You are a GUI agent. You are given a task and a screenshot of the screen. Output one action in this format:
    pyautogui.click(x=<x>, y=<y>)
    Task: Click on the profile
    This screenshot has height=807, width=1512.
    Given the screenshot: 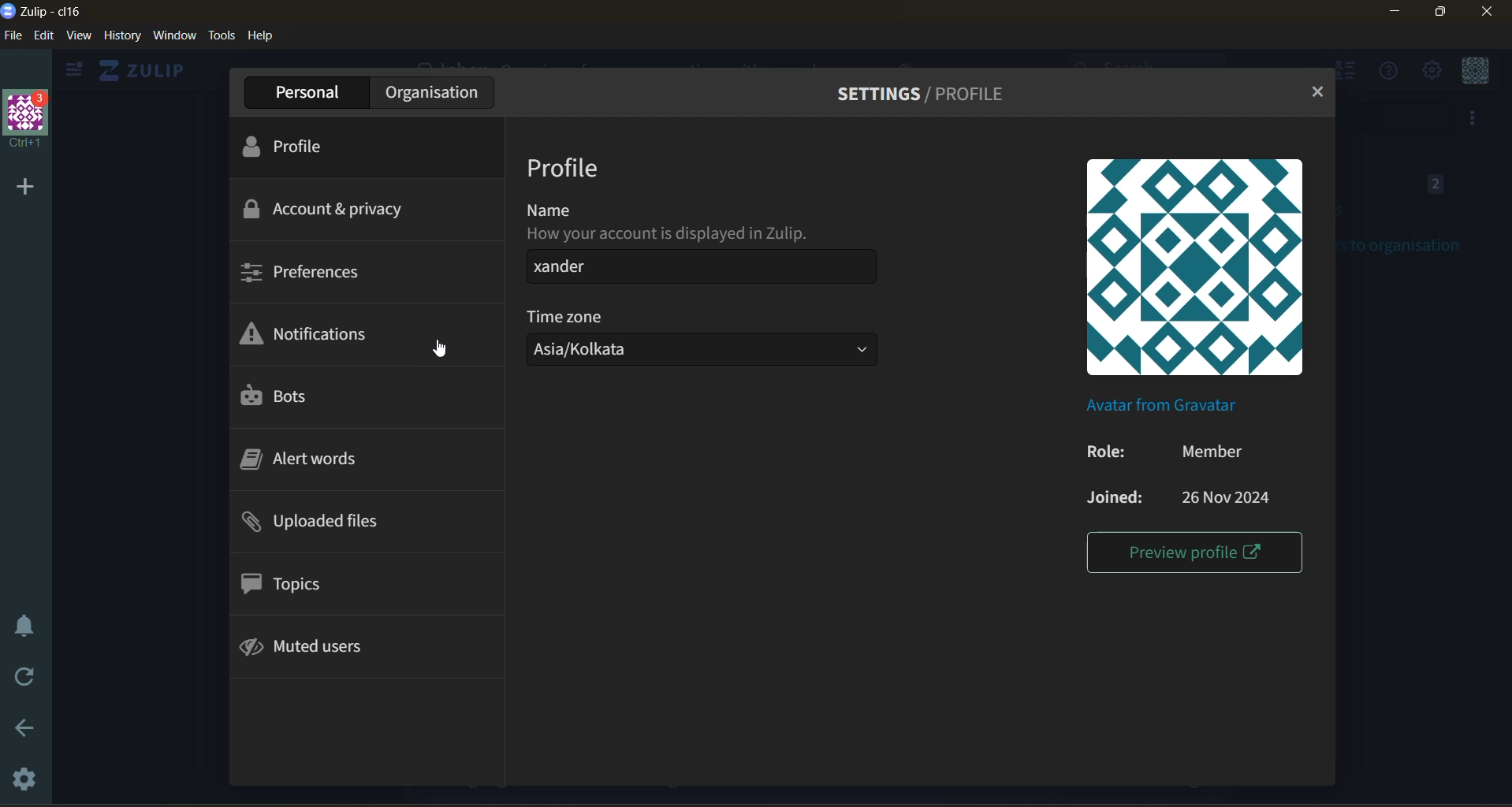 What is the action you would take?
    pyautogui.click(x=564, y=166)
    